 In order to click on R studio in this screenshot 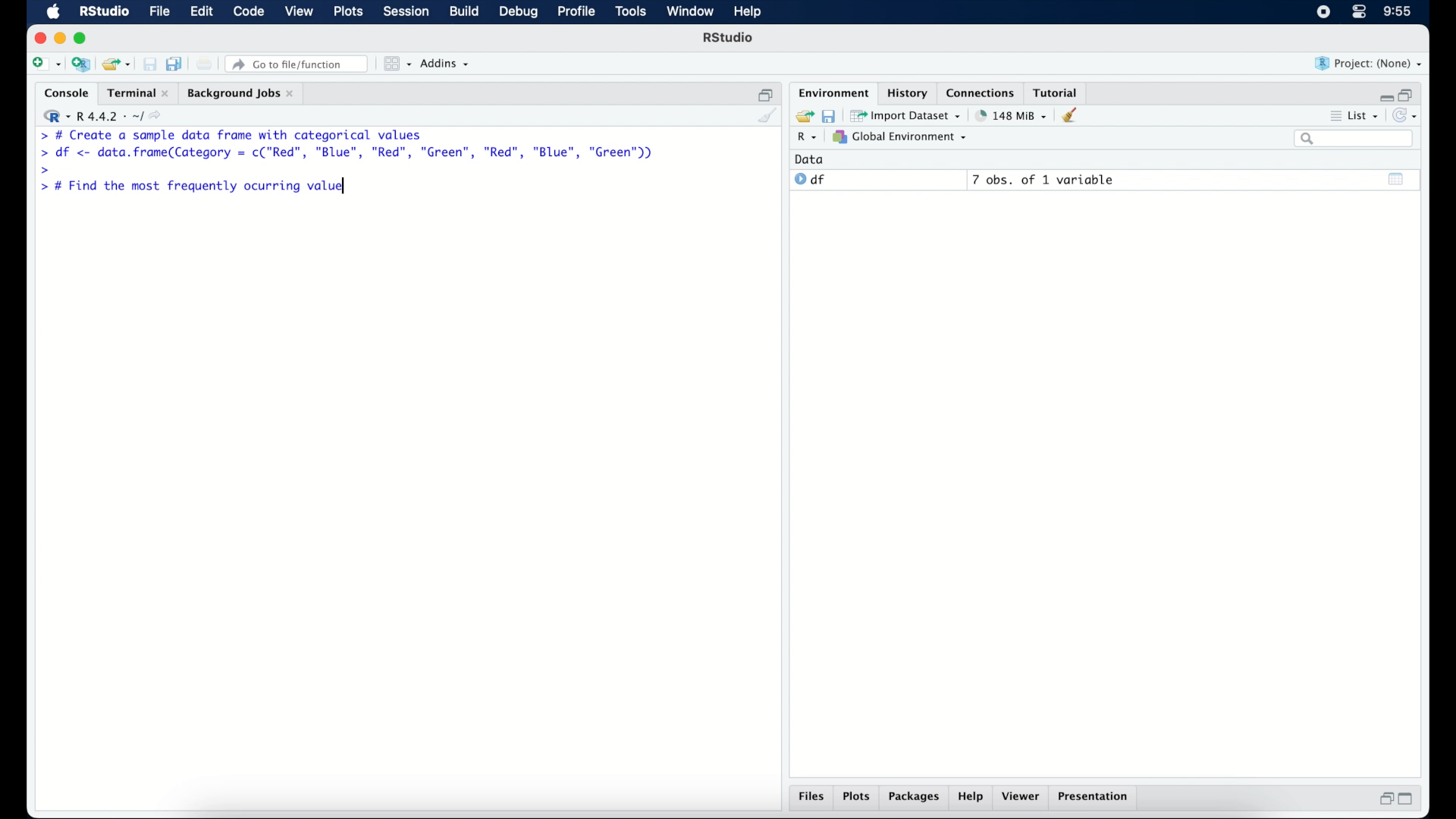, I will do `click(104, 12)`.